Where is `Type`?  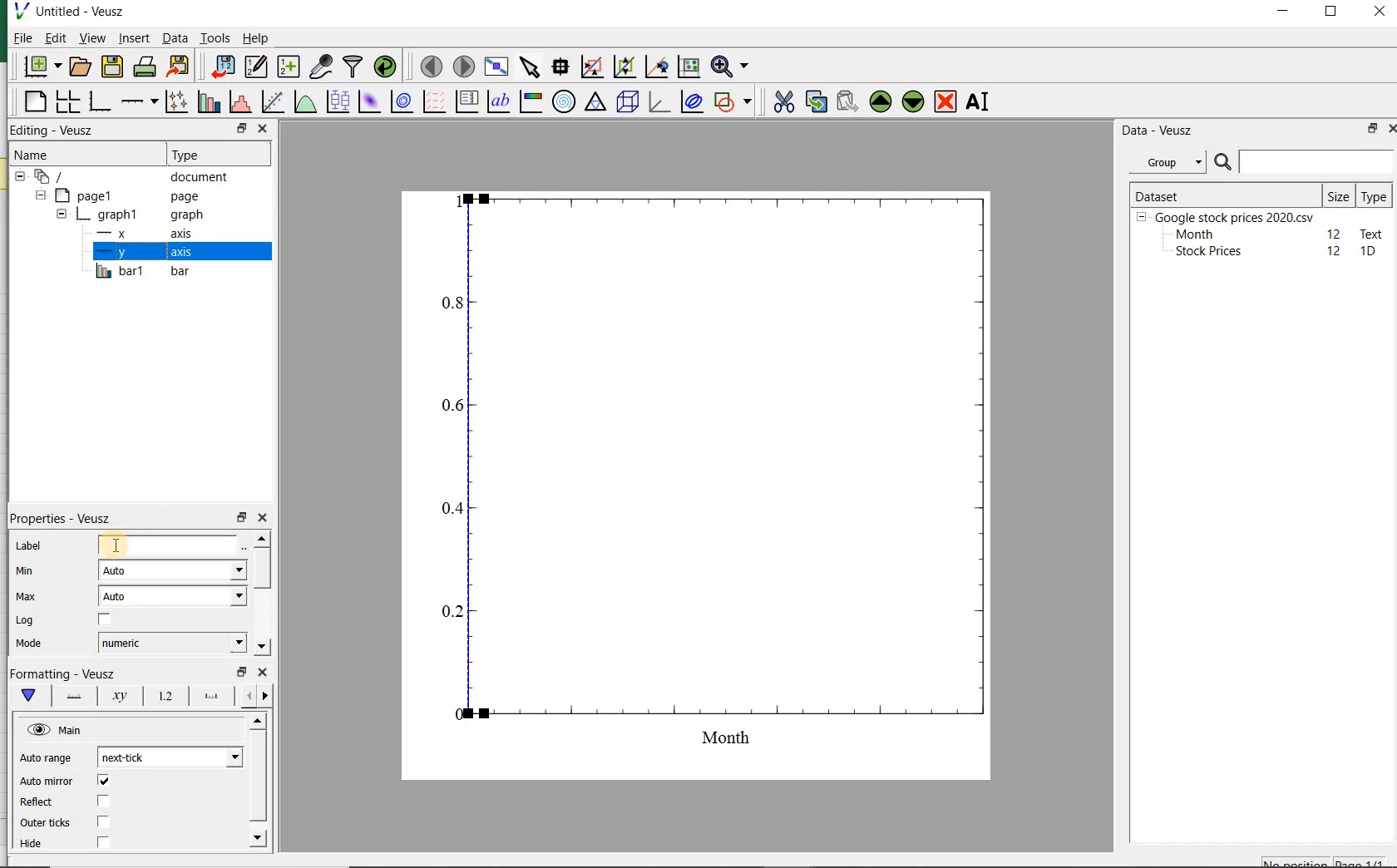 Type is located at coordinates (1374, 195).